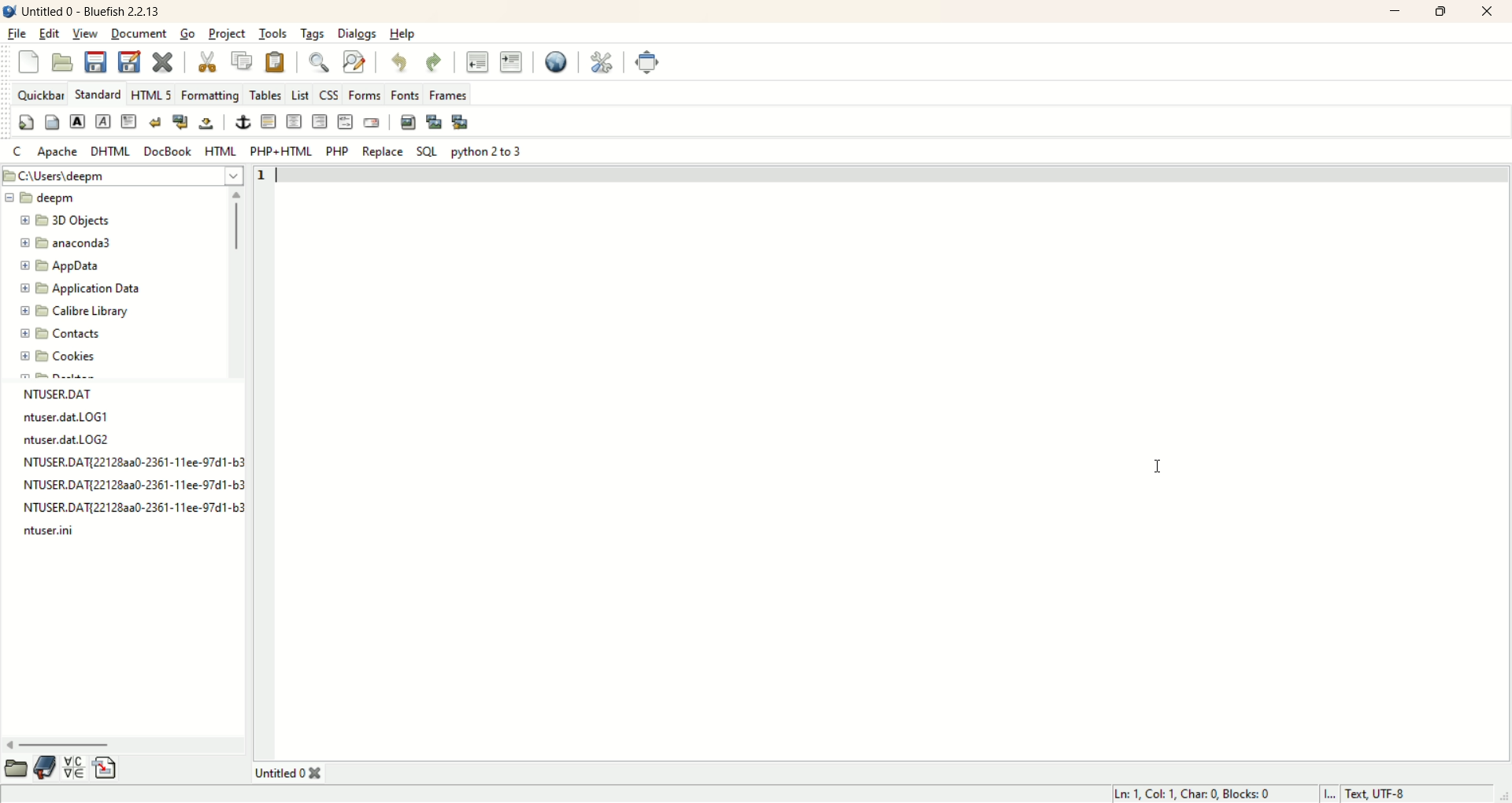 This screenshot has width=1512, height=803. Describe the element at coordinates (99, 94) in the screenshot. I see `Standard` at that location.